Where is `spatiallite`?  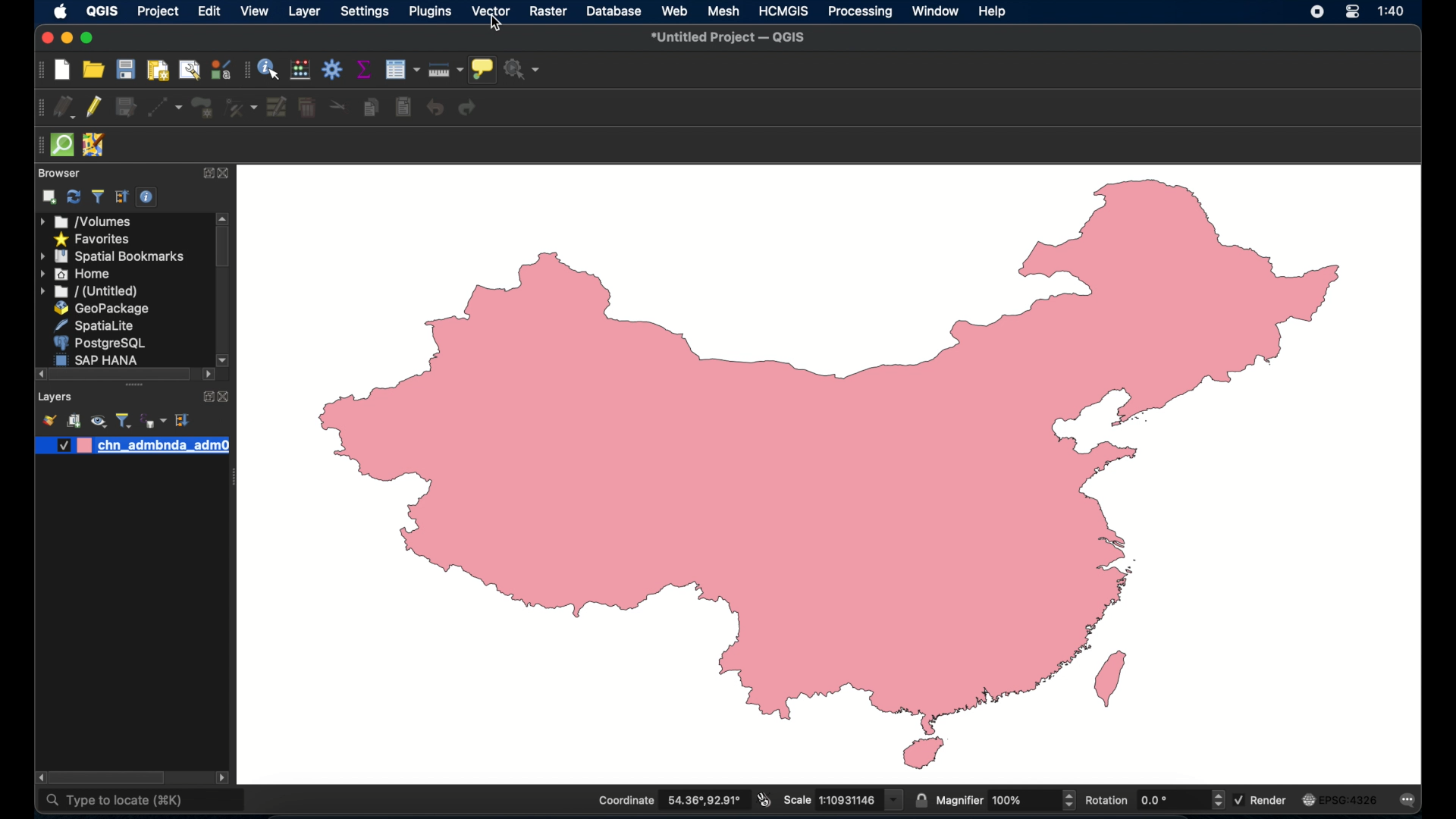 spatiallite is located at coordinates (93, 325).